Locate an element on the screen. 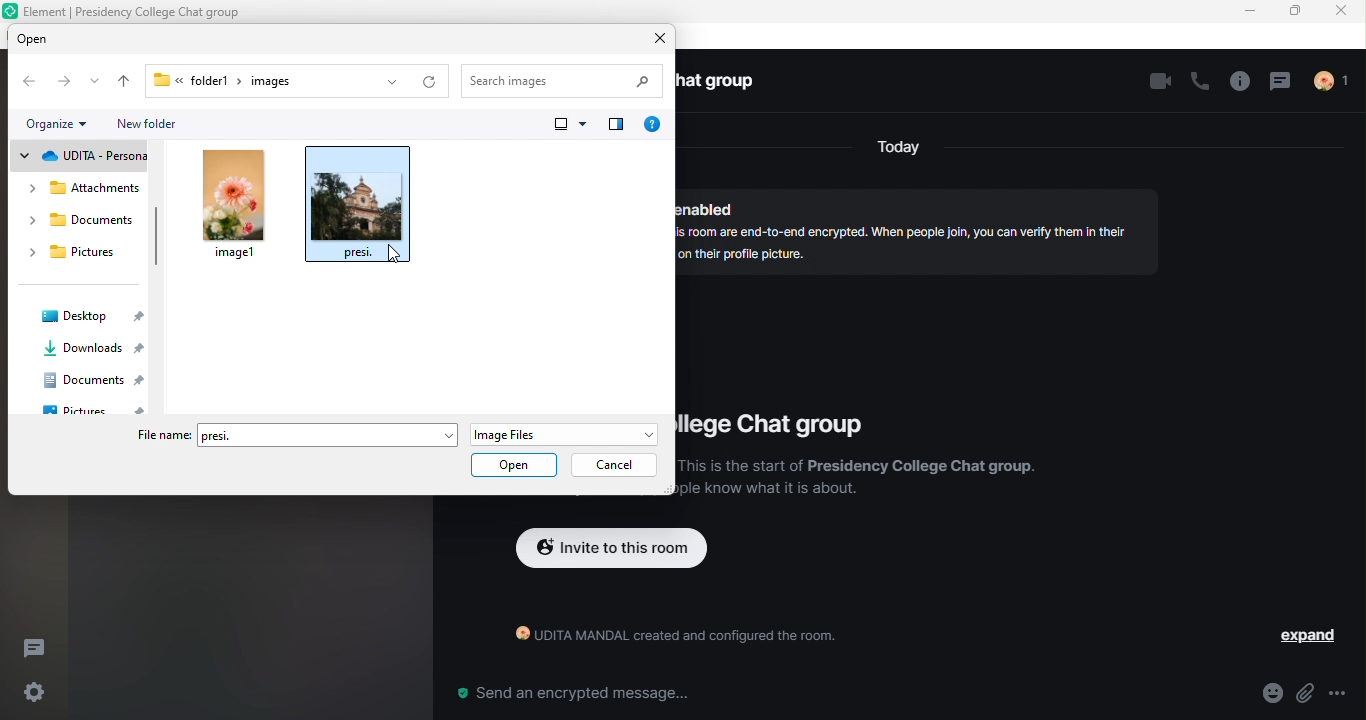 The width and height of the screenshot is (1366, 720). documents is located at coordinates (82, 223).